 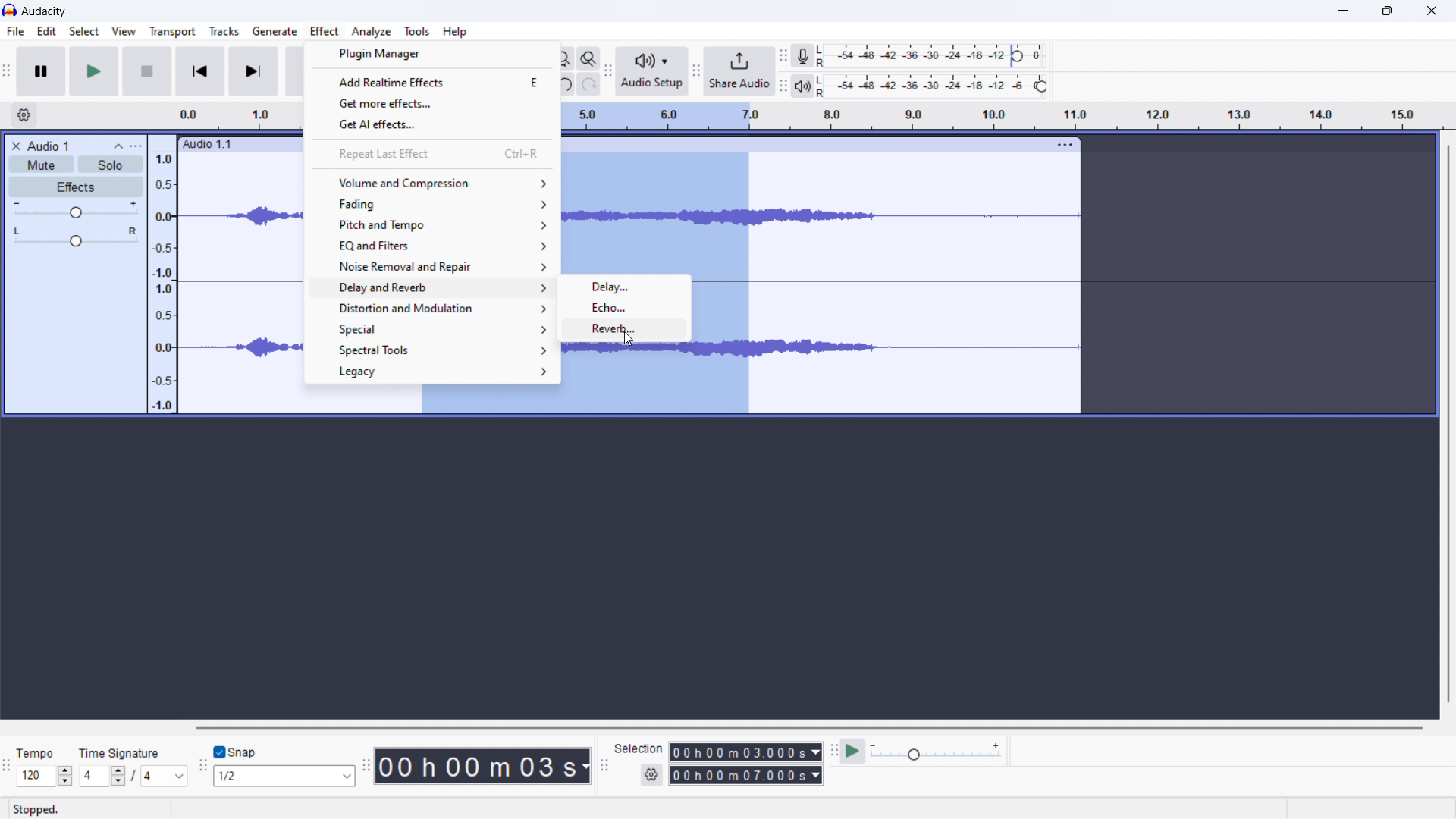 What do you see at coordinates (566, 57) in the screenshot?
I see `fill selection to width` at bounding box center [566, 57].